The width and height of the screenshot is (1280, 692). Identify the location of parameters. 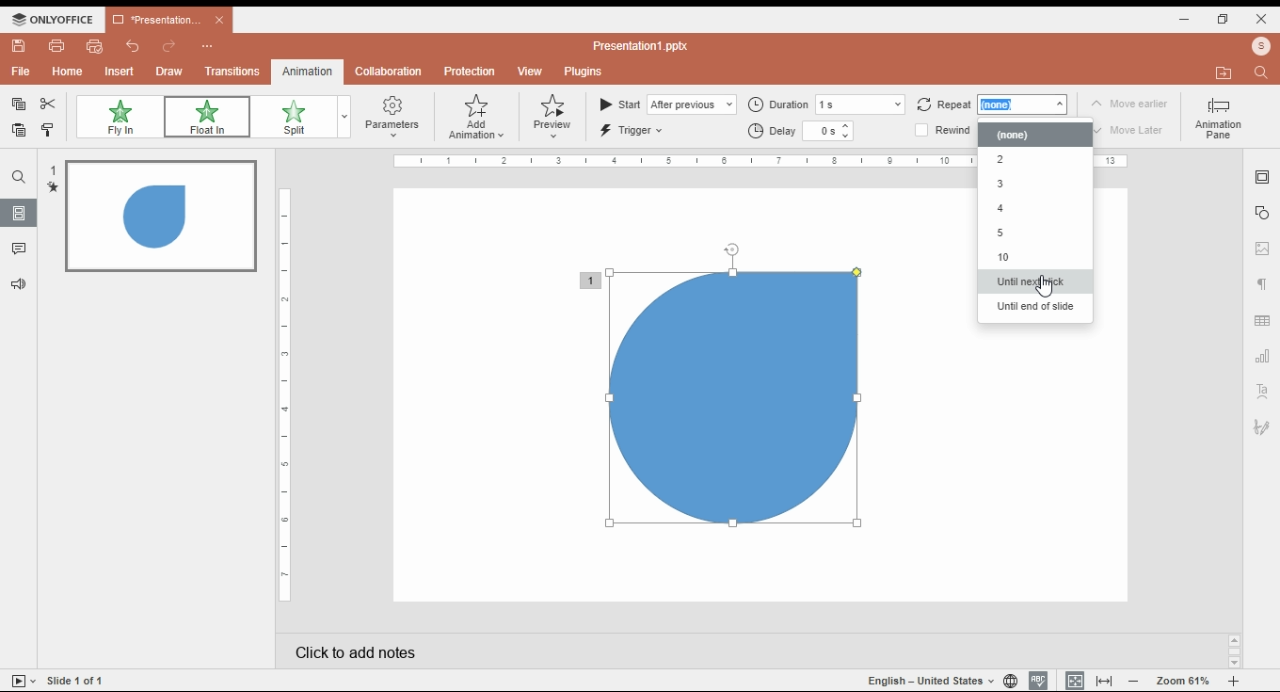
(390, 116).